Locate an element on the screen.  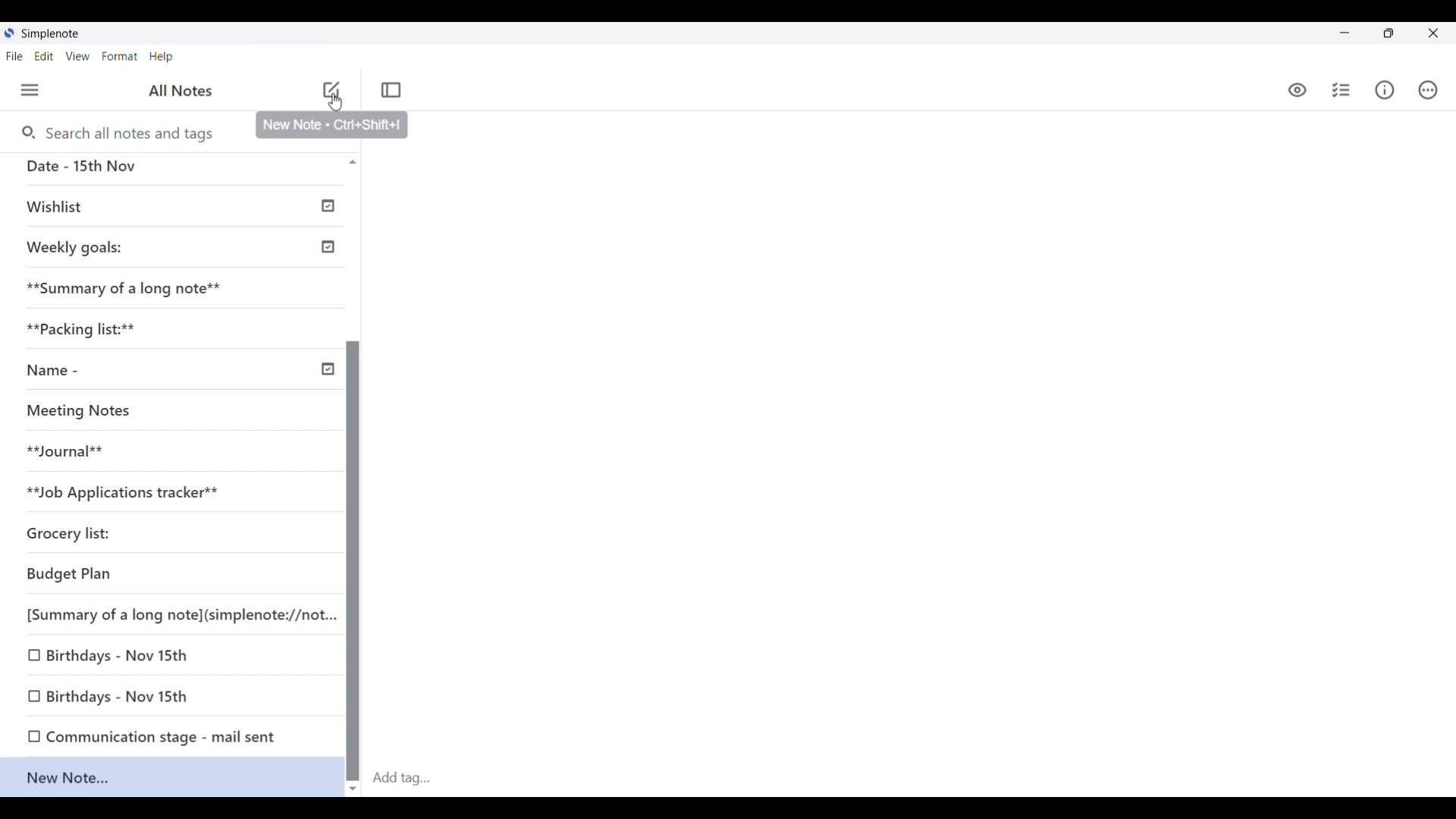
Minimize is located at coordinates (1345, 33).